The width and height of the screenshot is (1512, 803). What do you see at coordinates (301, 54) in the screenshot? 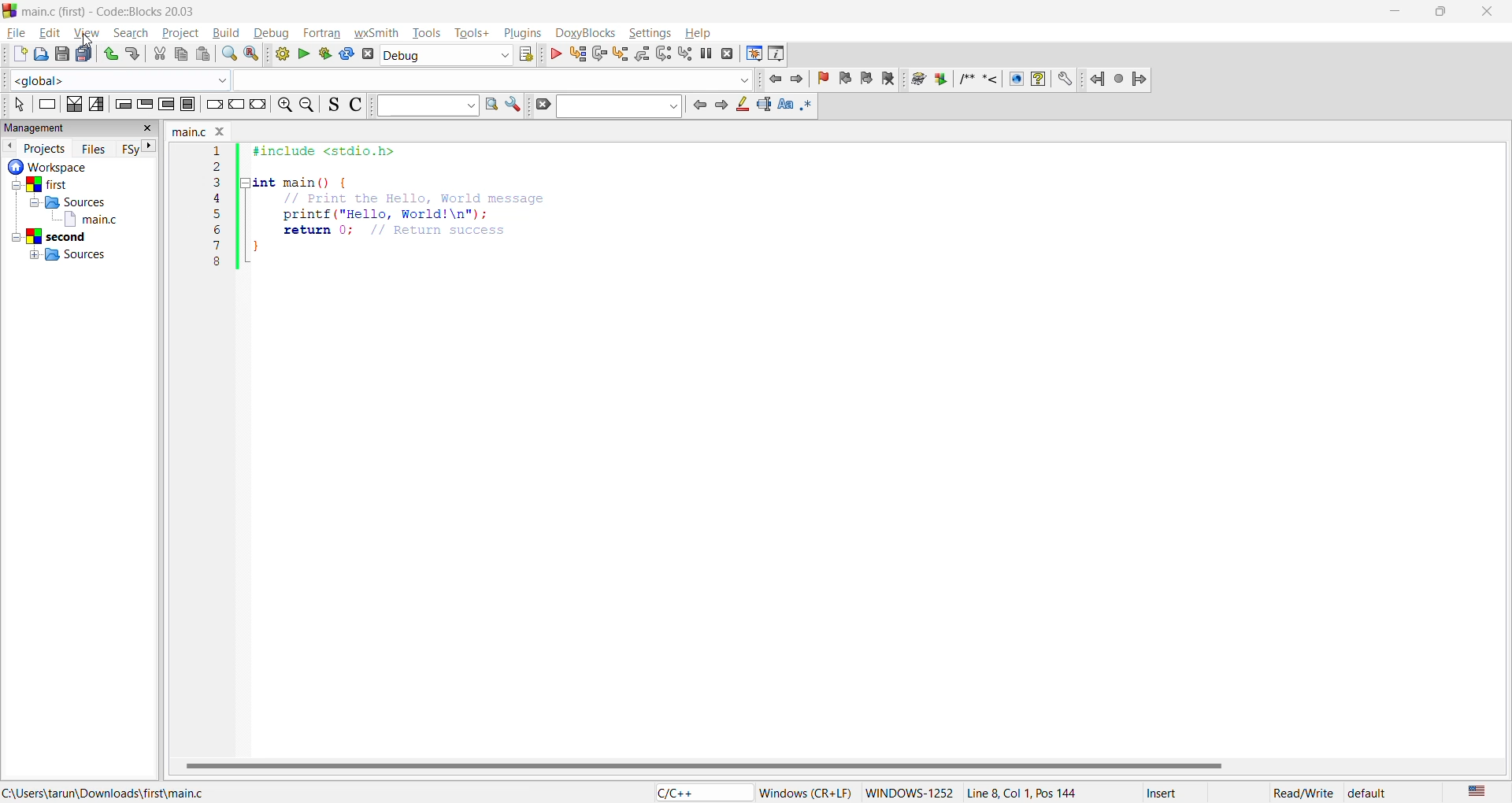
I see `run` at bounding box center [301, 54].